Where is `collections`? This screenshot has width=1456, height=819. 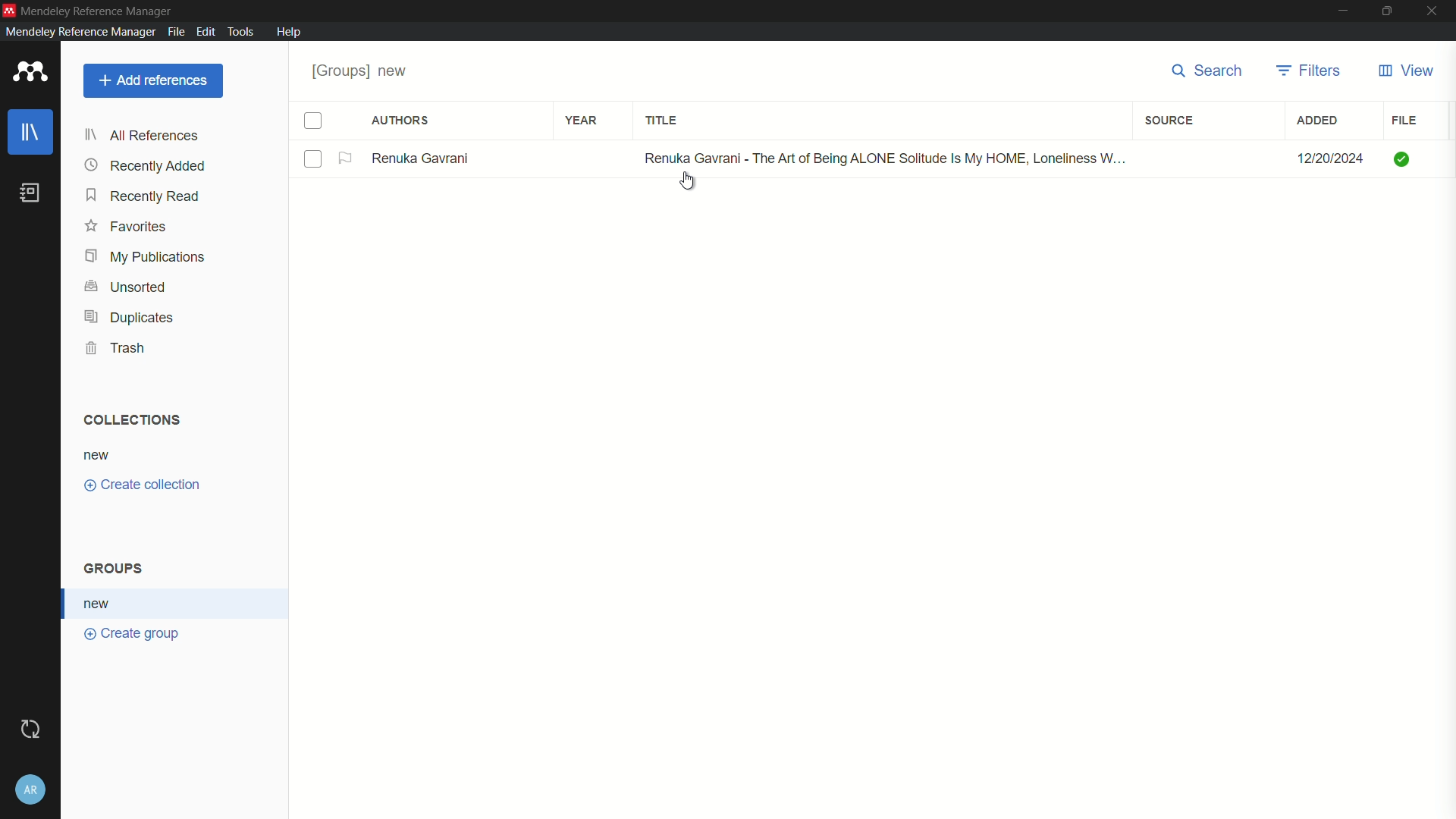
collections is located at coordinates (133, 420).